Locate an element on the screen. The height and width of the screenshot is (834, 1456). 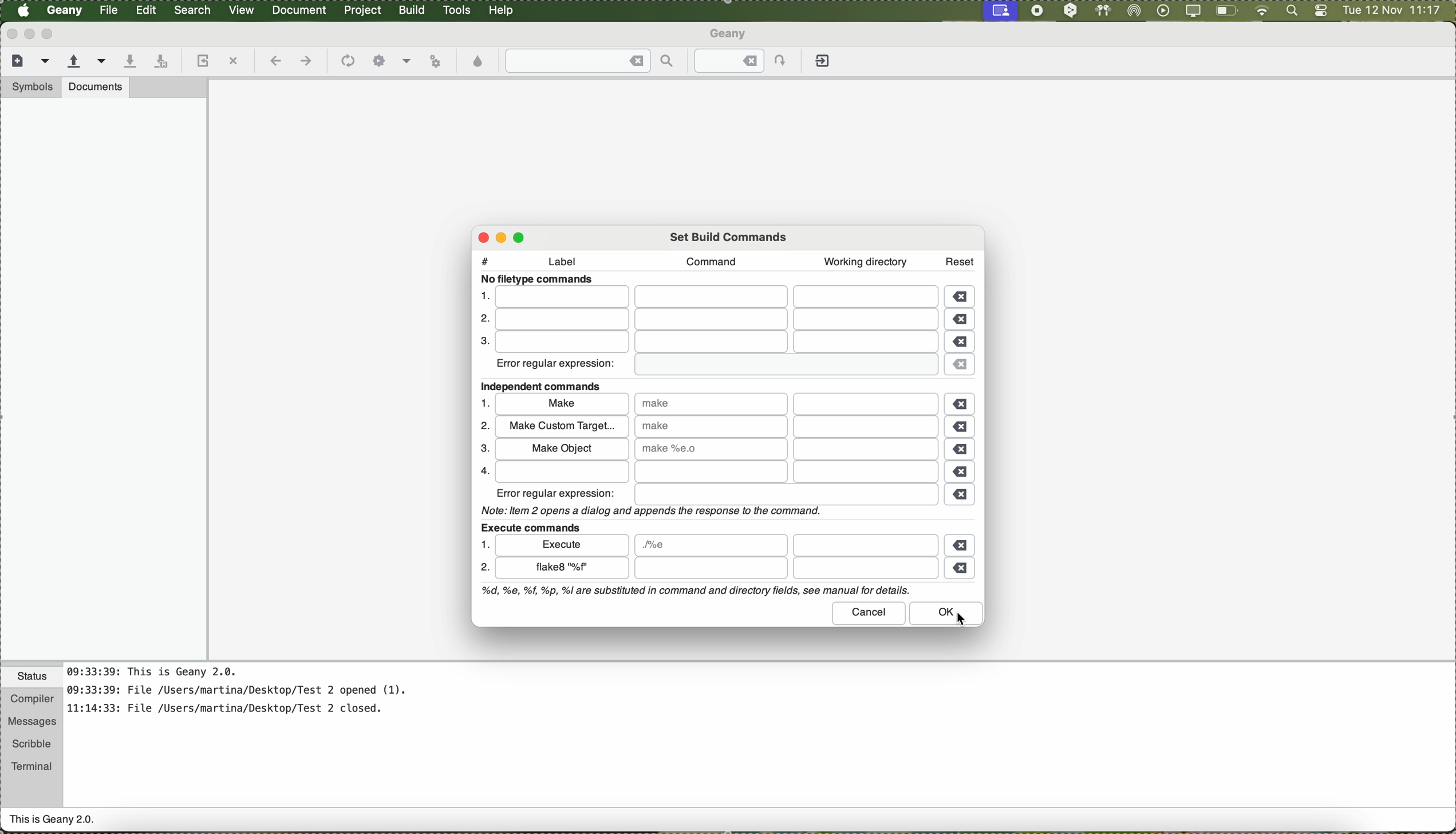
new file is located at coordinates (15, 60).